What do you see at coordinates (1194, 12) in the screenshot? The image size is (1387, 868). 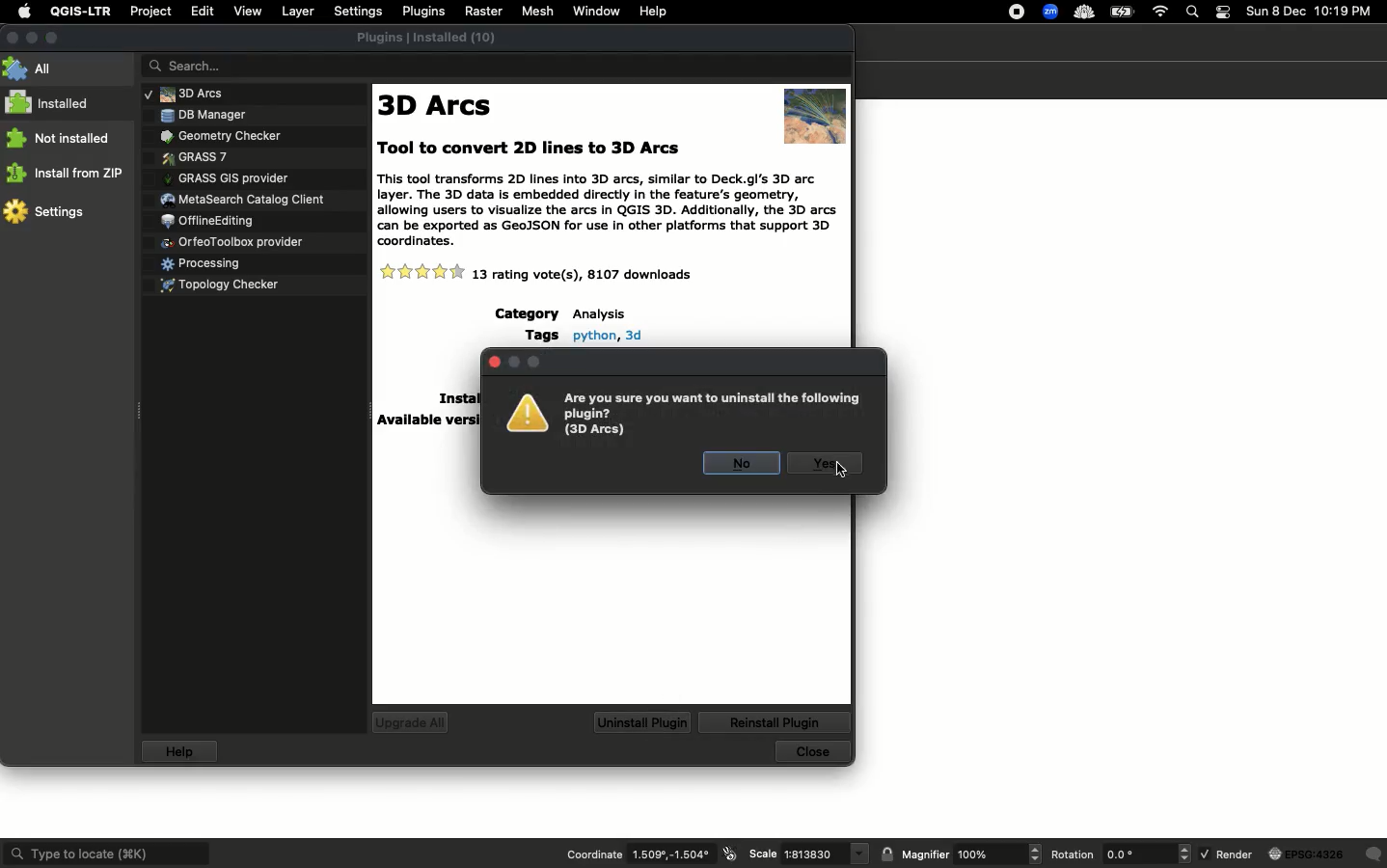 I see `Search` at bounding box center [1194, 12].